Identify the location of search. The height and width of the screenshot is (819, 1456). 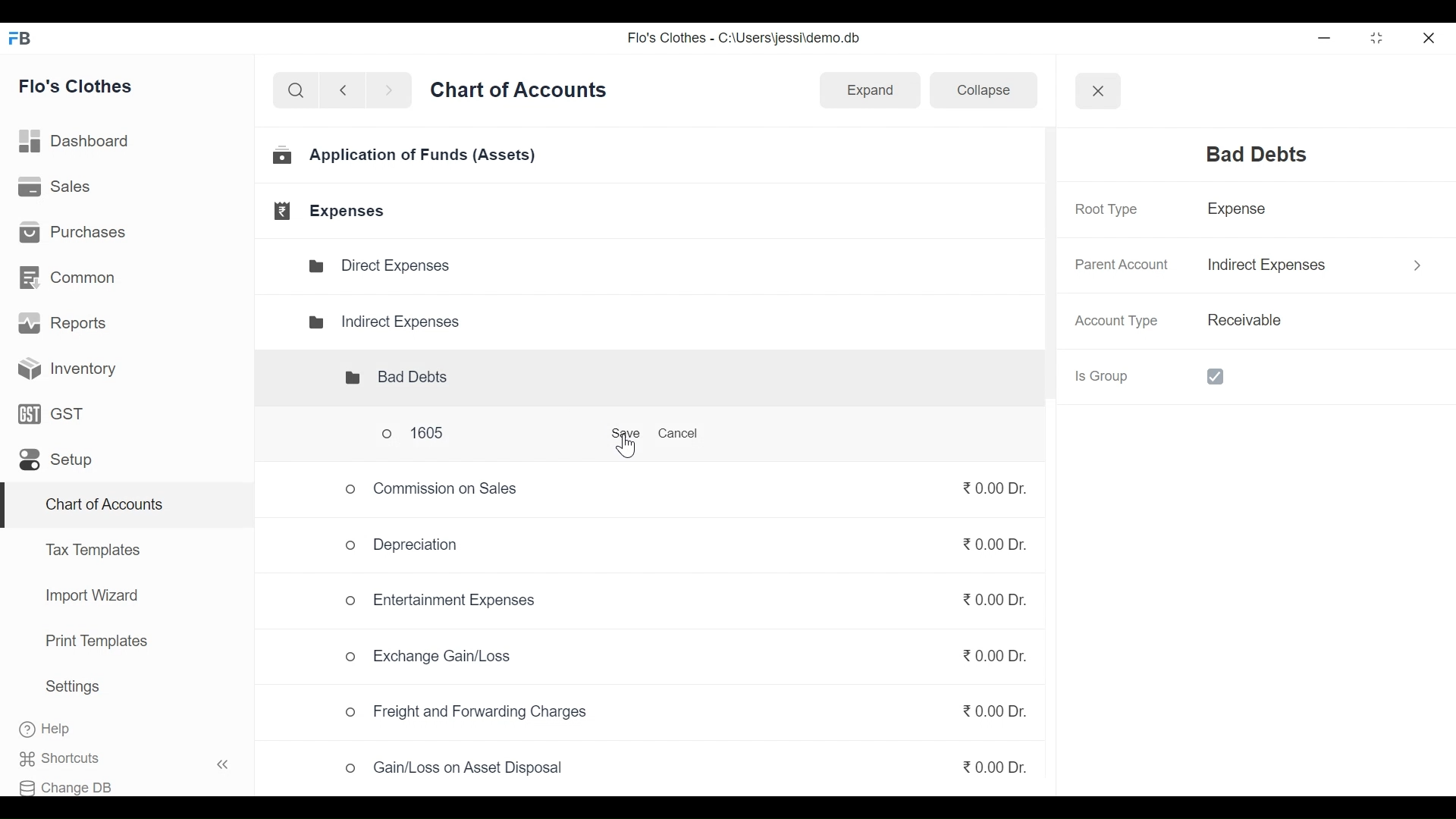
(296, 91).